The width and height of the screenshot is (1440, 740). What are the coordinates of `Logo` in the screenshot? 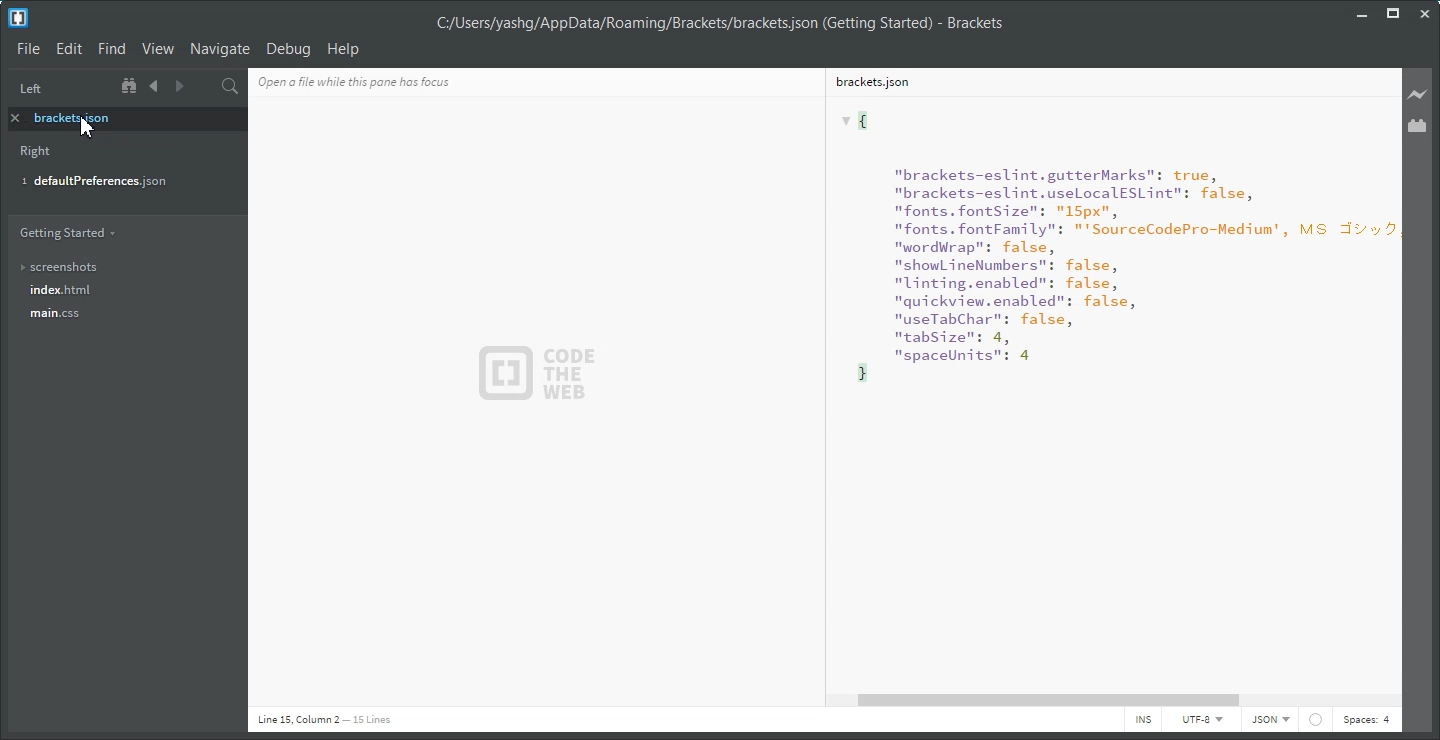 It's located at (18, 18).